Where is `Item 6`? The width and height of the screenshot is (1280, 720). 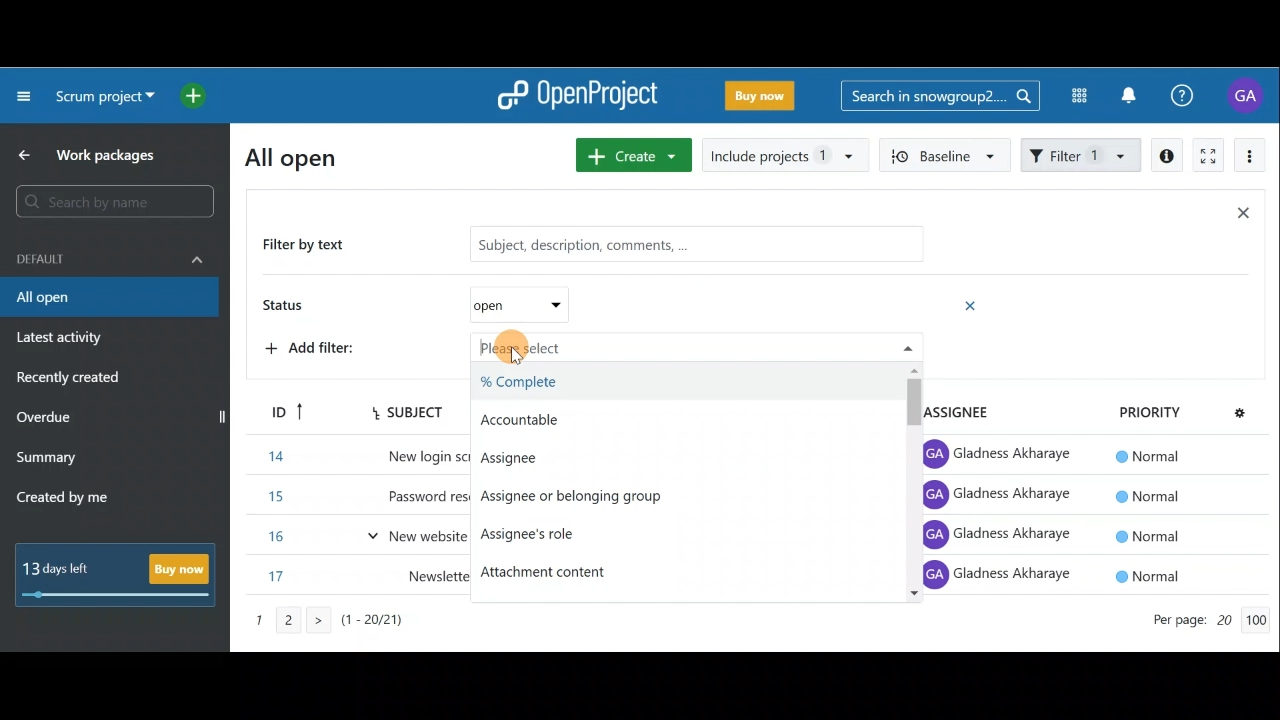
Item 6 is located at coordinates (353, 455).